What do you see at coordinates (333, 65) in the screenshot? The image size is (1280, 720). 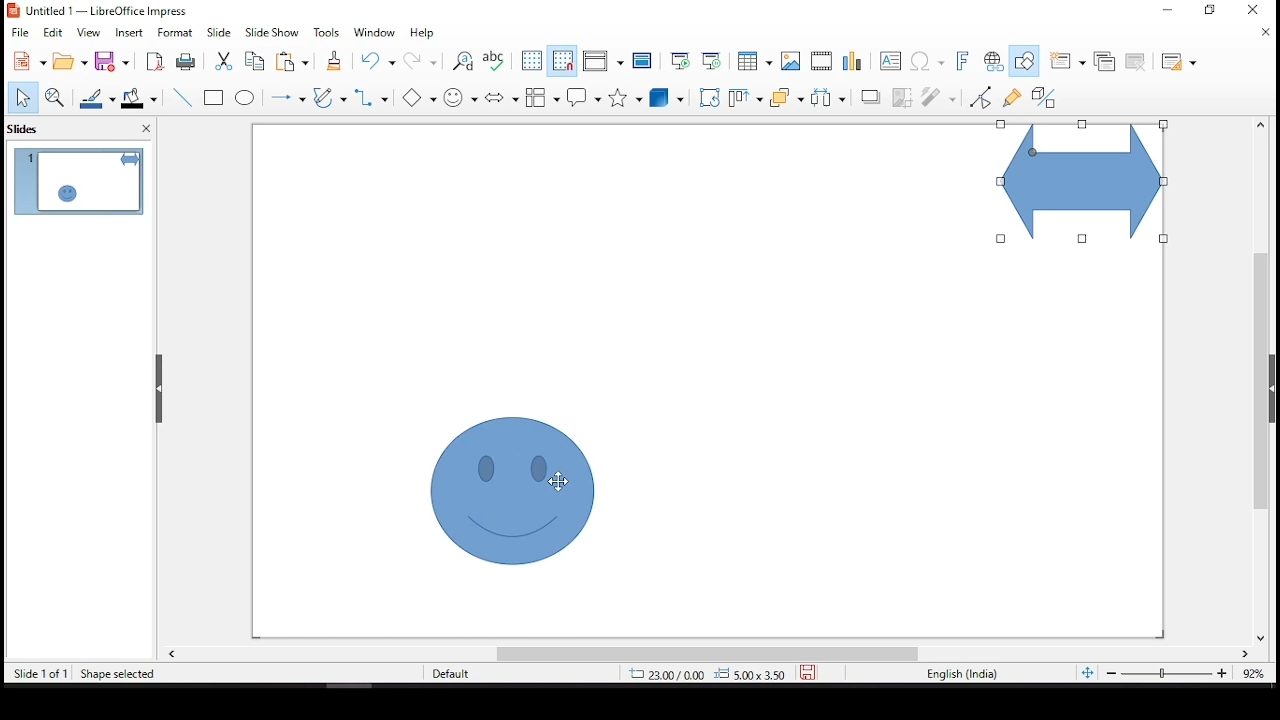 I see `clone formatting` at bounding box center [333, 65].